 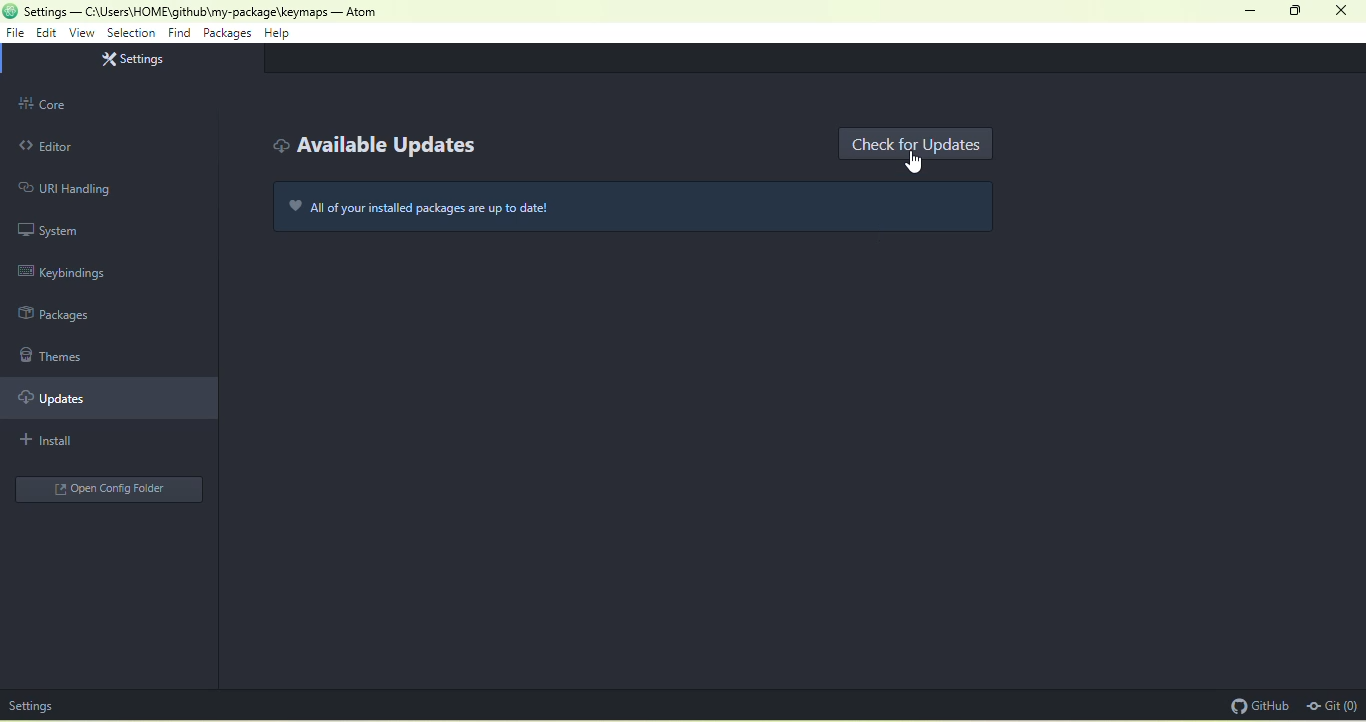 What do you see at coordinates (78, 442) in the screenshot?
I see `install` at bounding box center [78, 442].